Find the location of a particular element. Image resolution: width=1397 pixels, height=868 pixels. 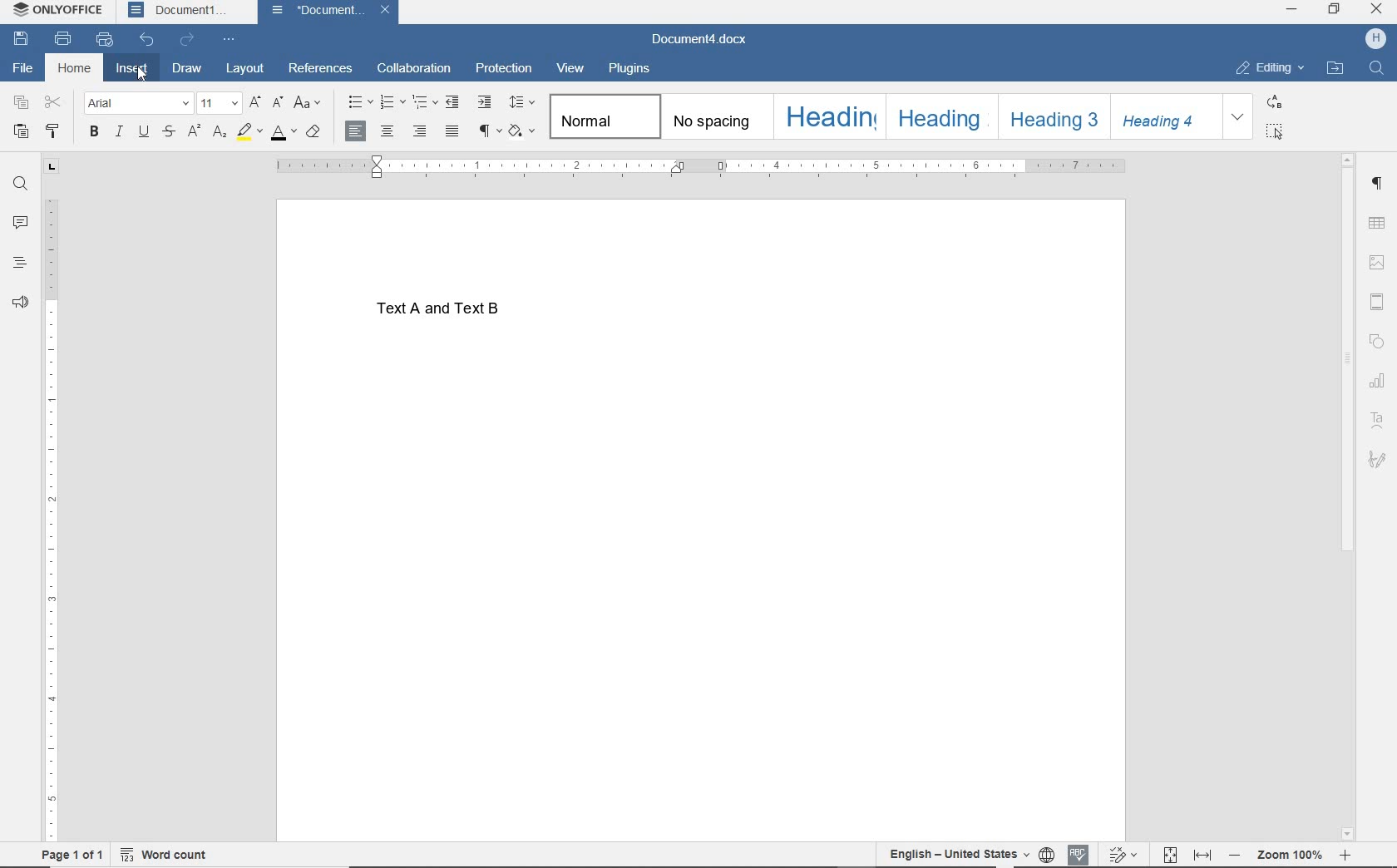

HEADING 1 is located at coordinates (828, 116).